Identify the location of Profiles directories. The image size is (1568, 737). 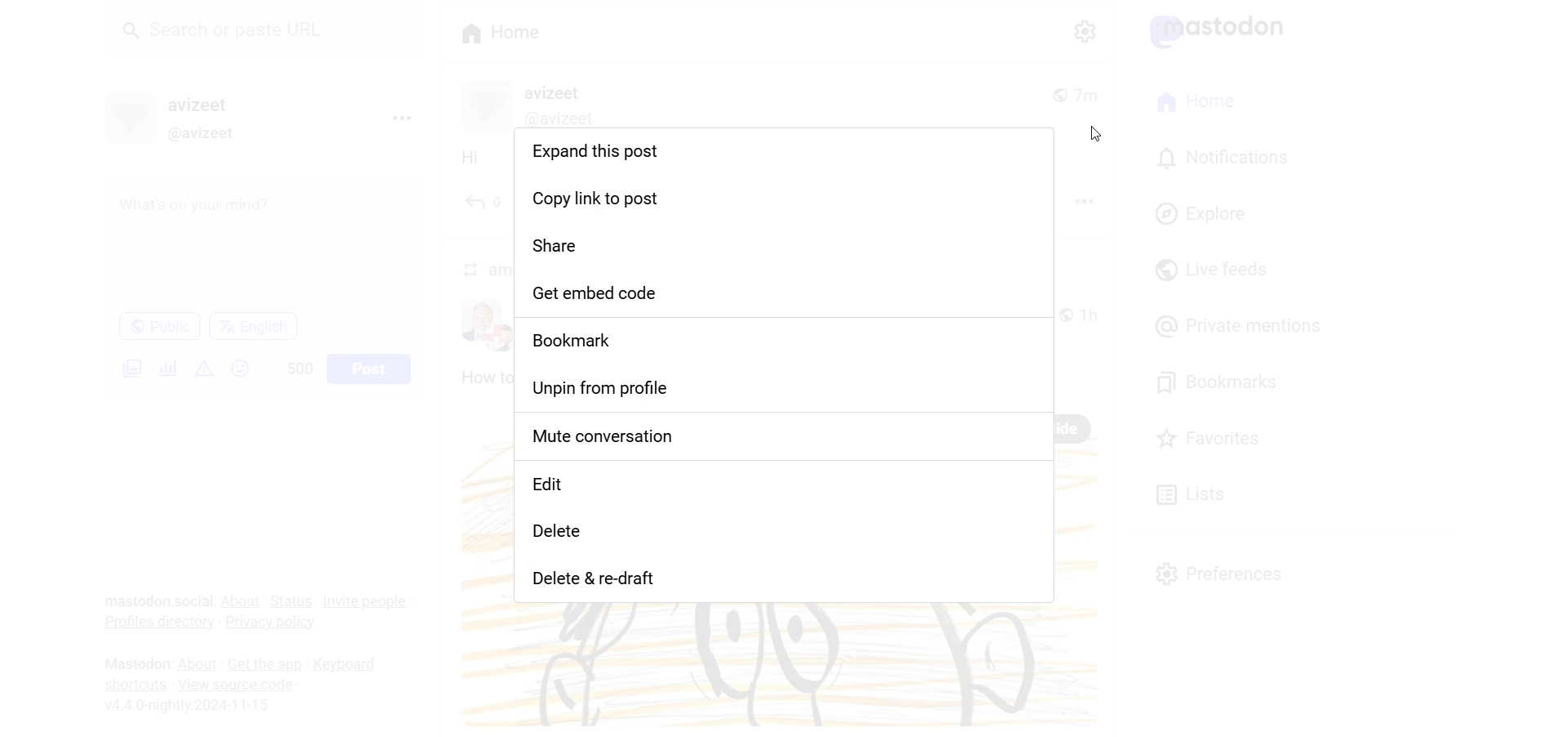
(156, 625).